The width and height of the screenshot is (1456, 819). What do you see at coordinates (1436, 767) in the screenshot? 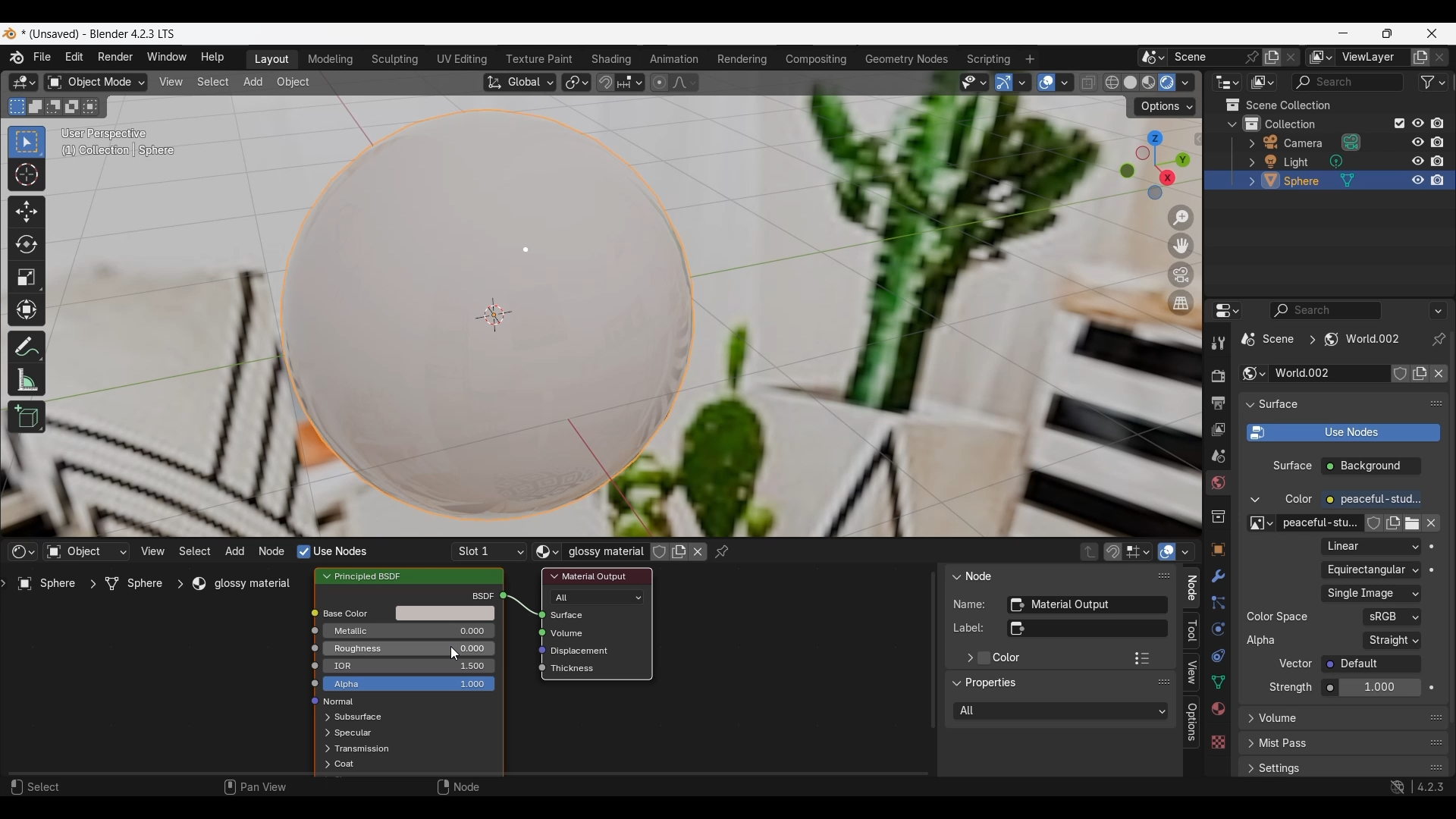
I see `Float settings` at bounding box center [1436, 767].